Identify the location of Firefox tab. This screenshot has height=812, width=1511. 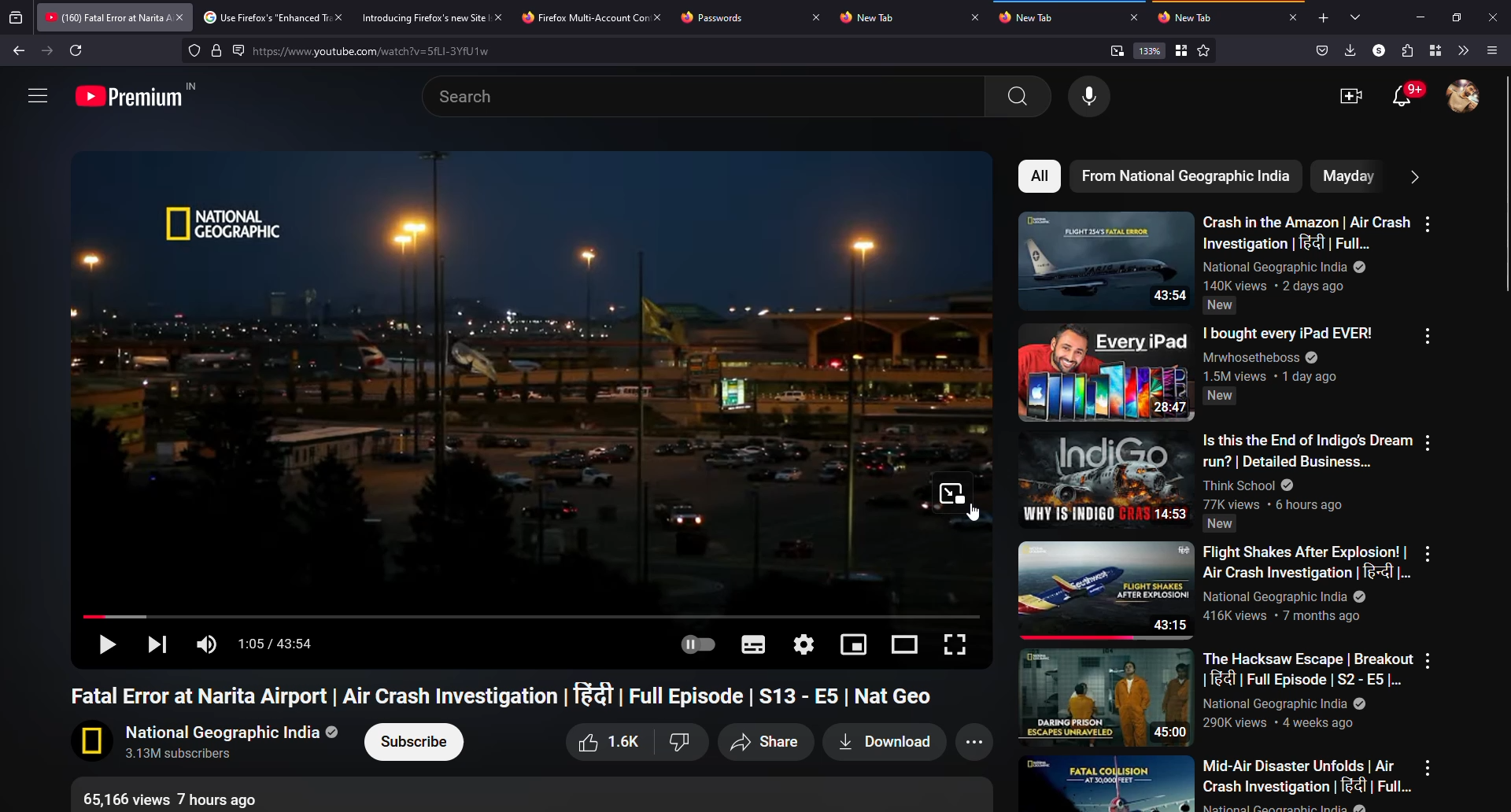
(582, 17).